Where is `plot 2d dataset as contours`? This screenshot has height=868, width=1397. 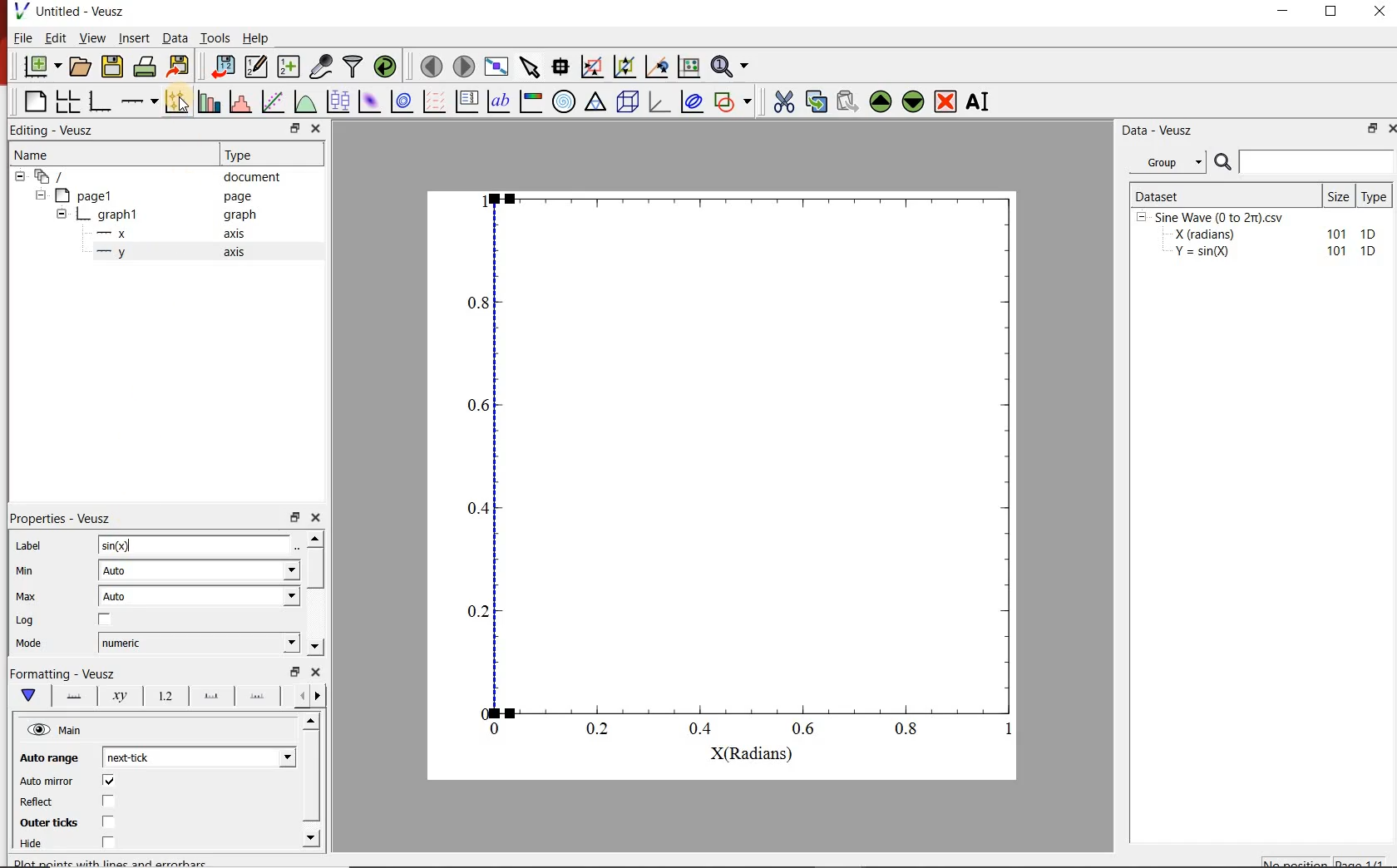
plot 2d dataset as contours is located at coordinates (402, 101).